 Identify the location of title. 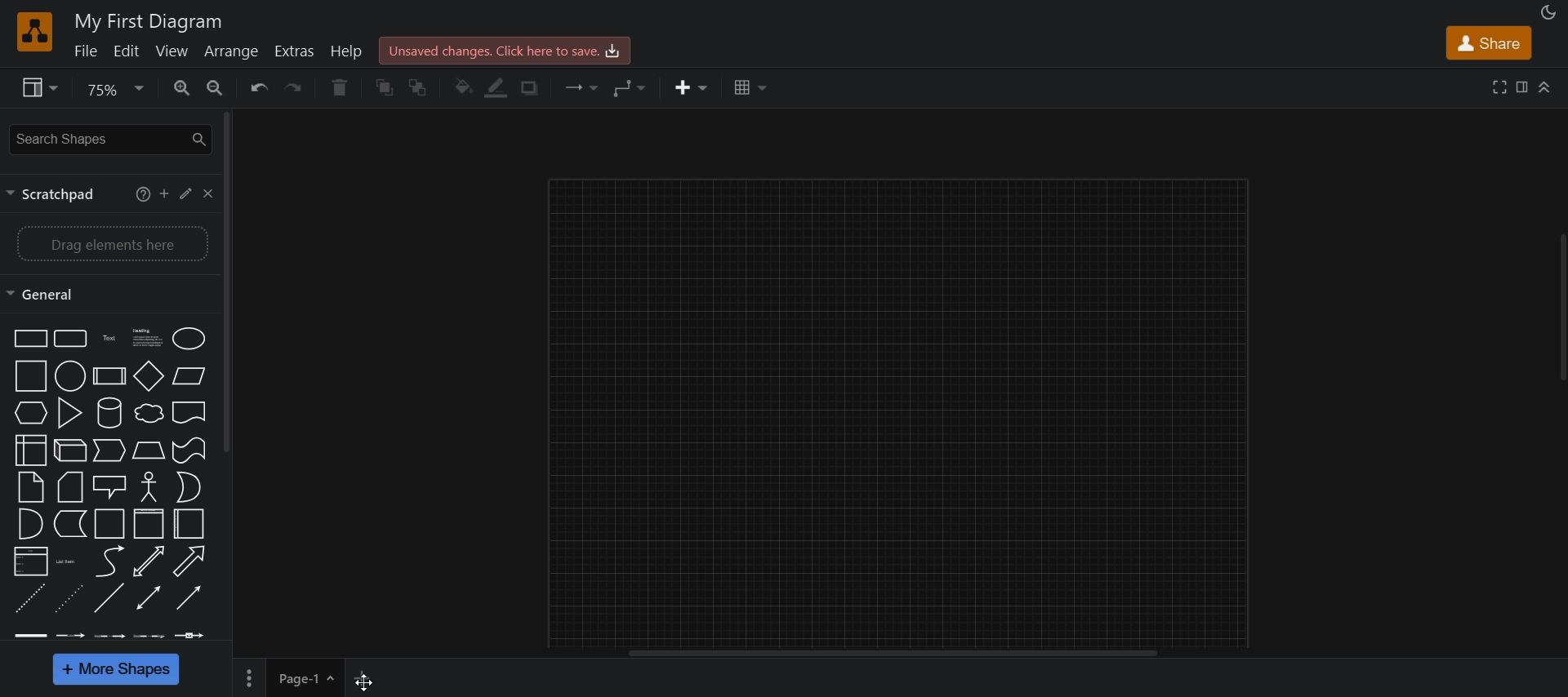
(145, 23).